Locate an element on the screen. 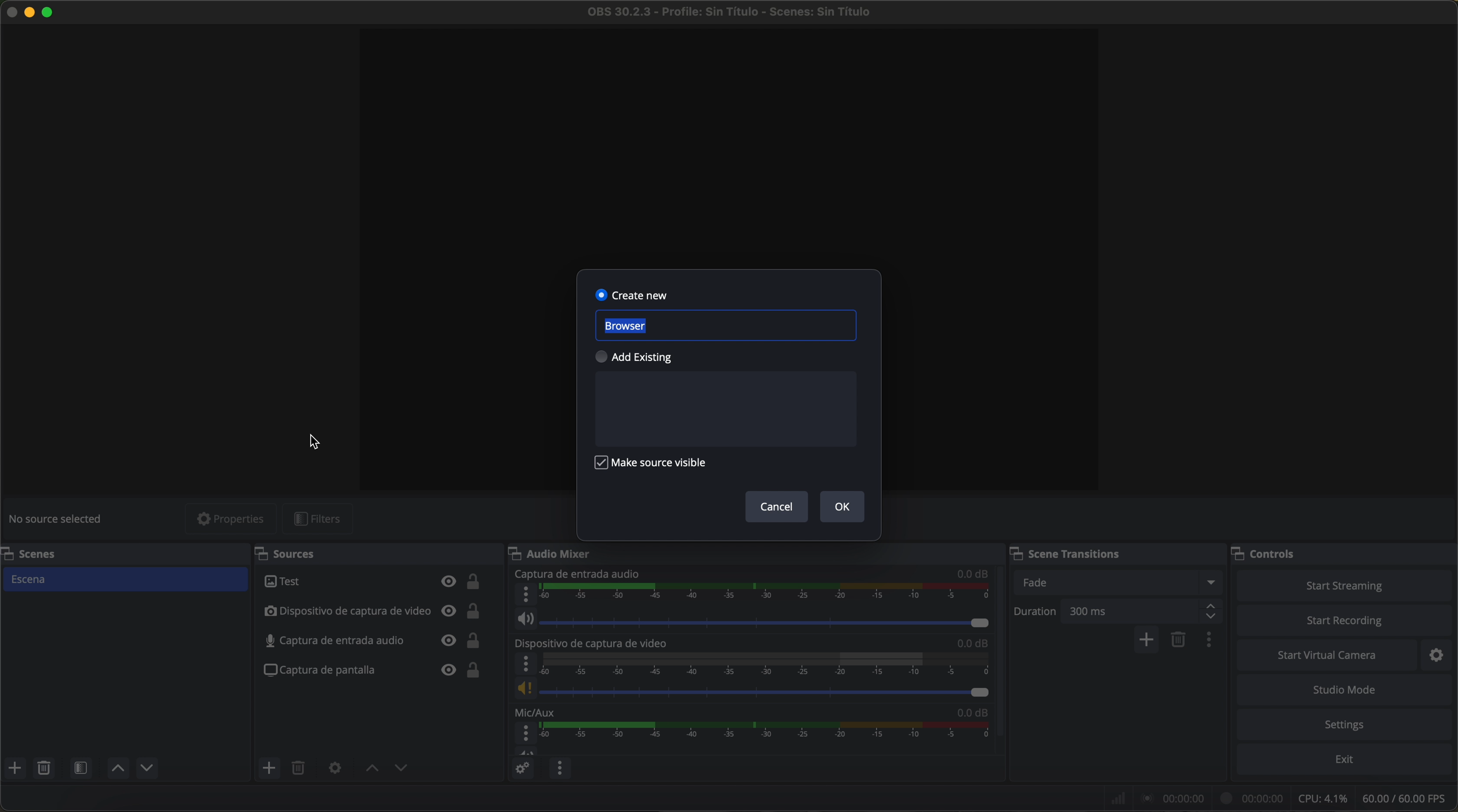  scene transitions is located at coordinates (1070, 553).